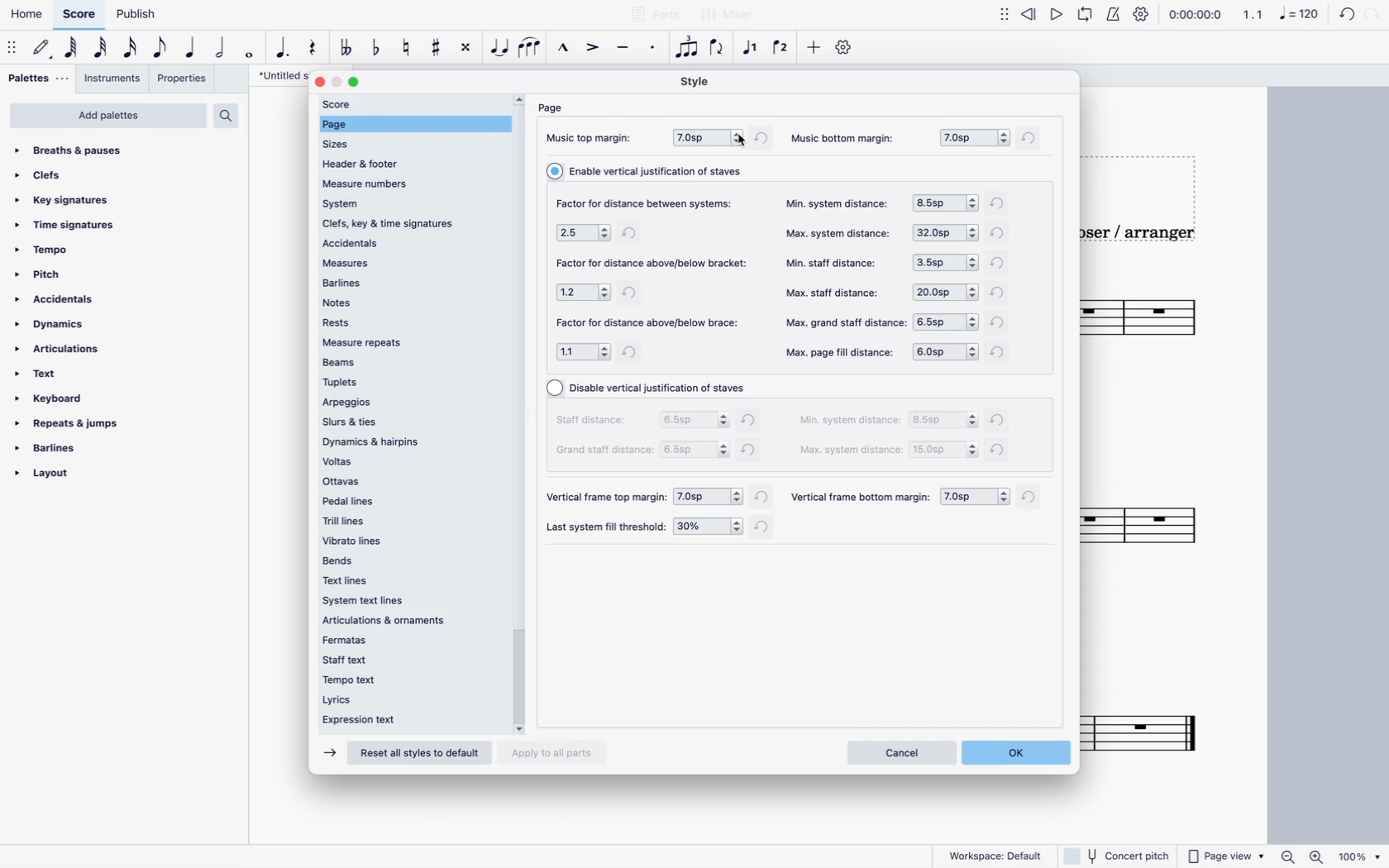 The height and width of the screenshot is (868, 1389). What do you see at coordinates (1226, 853) in the screenshot?
I see `page view` at bounding box center [1226, 853].